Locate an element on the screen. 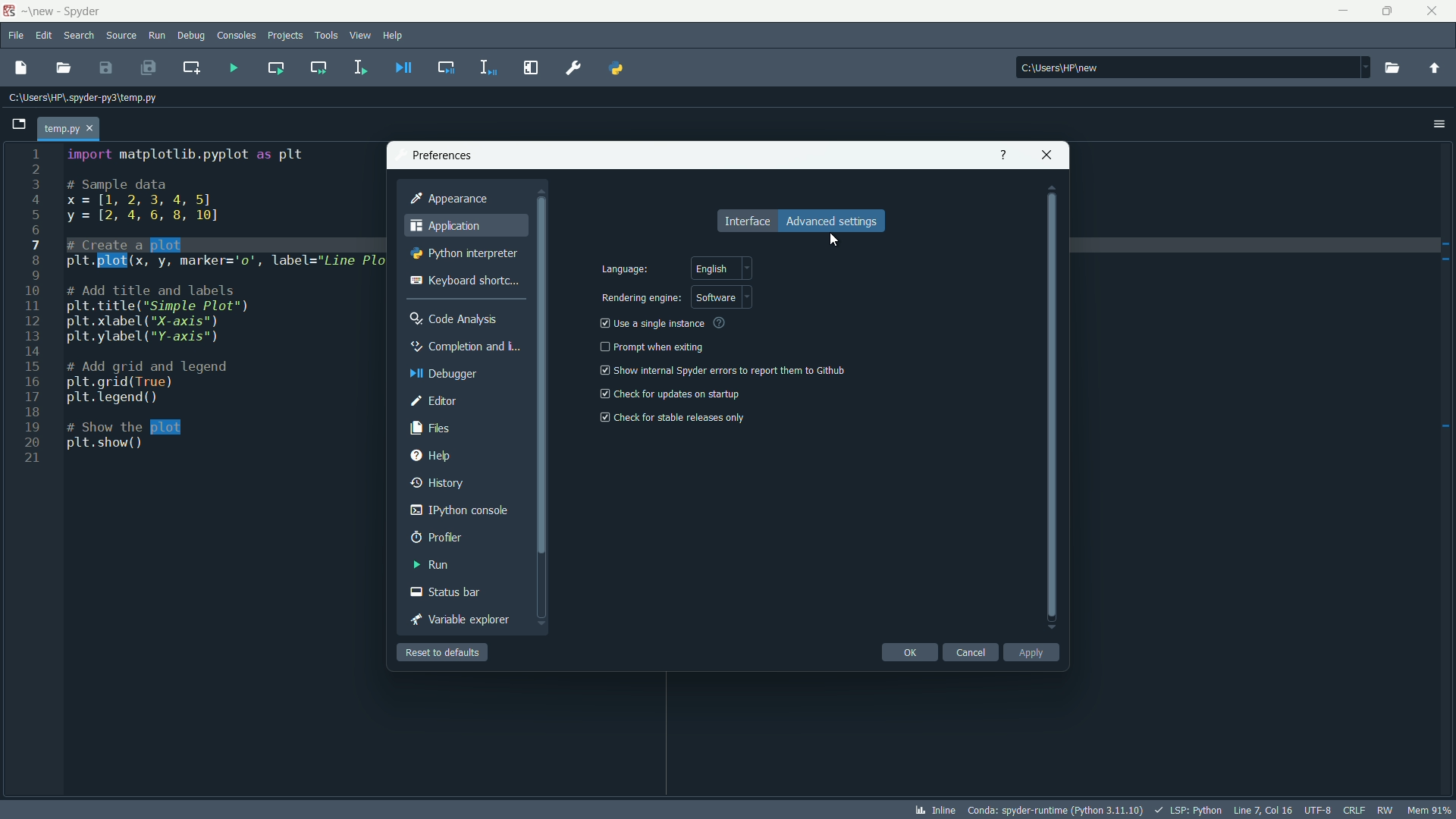  LSP:Python is located at coordinates (1186, 810).